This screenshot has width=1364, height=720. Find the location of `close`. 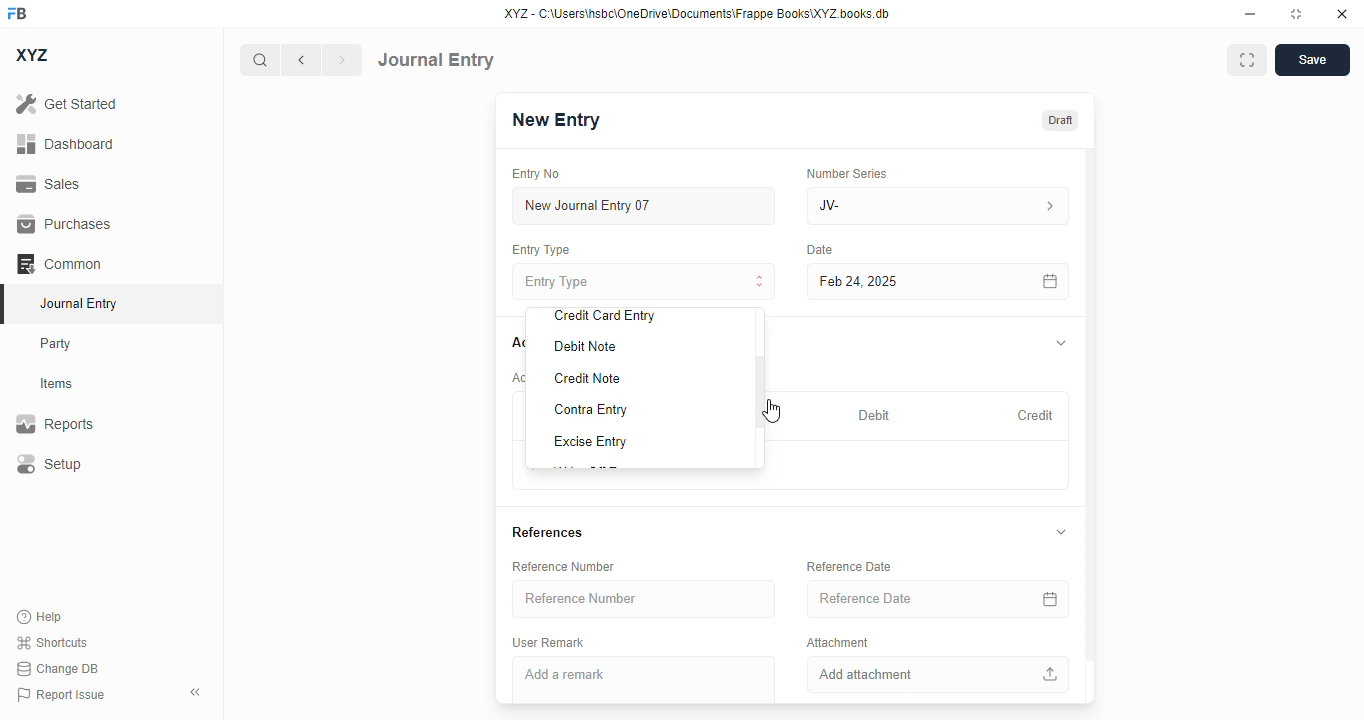

close is located at coordinates (1342, 14).